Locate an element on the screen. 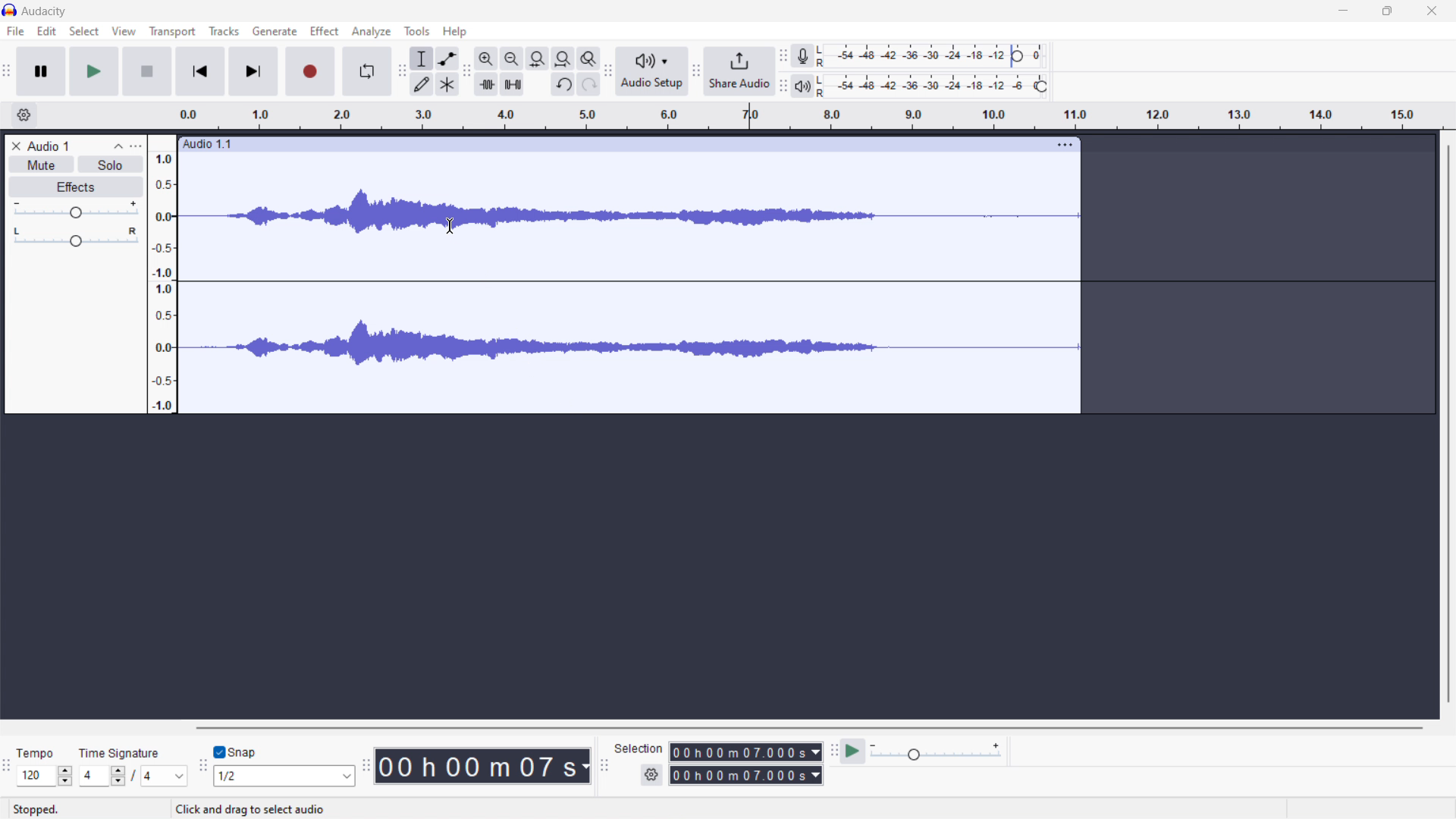 The height and width of the screenshot is (819, 1456). horizontal scrollbar is located at coordinates (811, 728).